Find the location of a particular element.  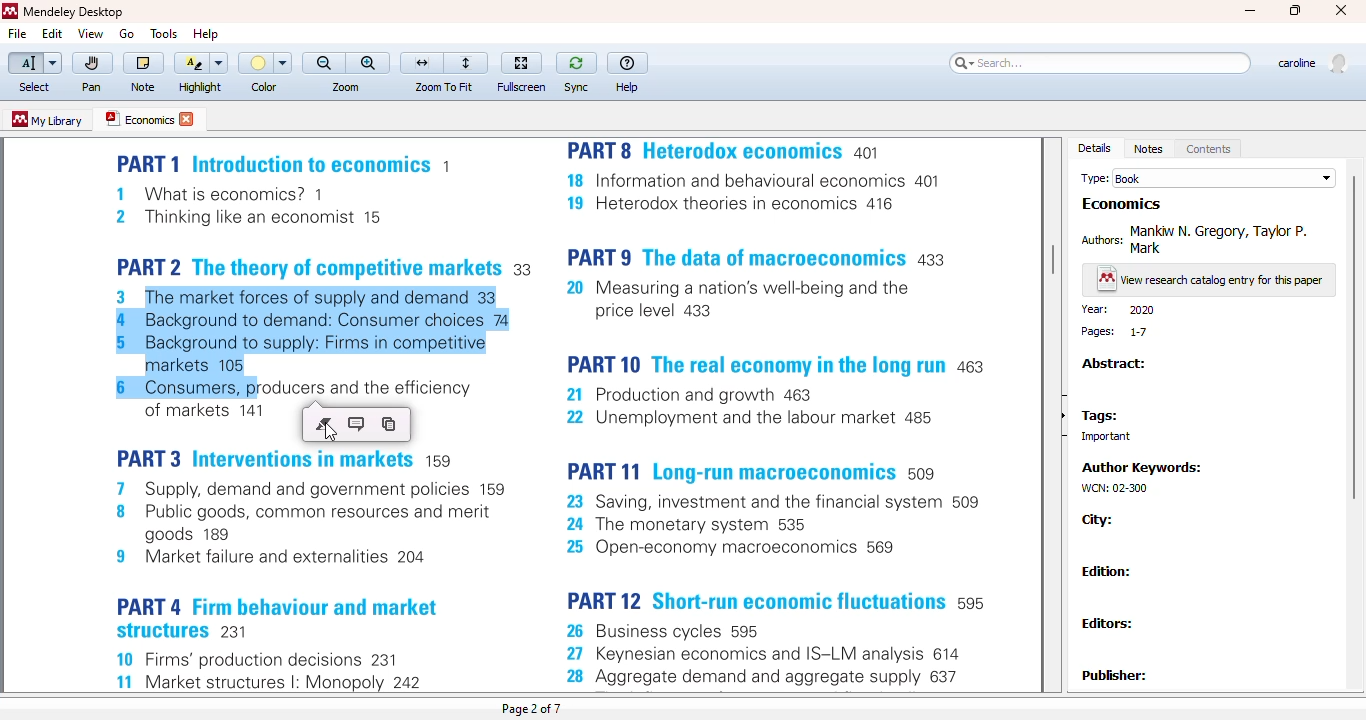

cursor is located at coordinates (331, 434).